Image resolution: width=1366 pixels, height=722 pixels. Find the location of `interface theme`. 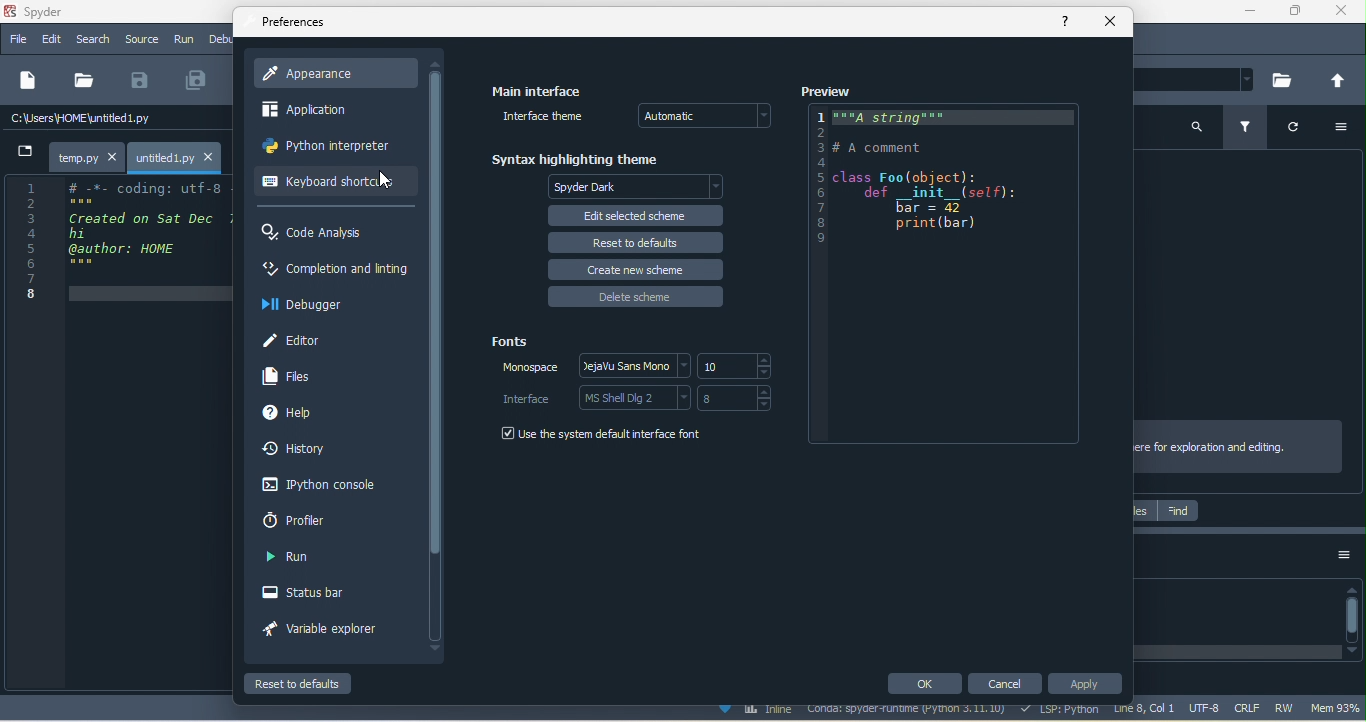

interface theme is located at coordinates (541, 118).